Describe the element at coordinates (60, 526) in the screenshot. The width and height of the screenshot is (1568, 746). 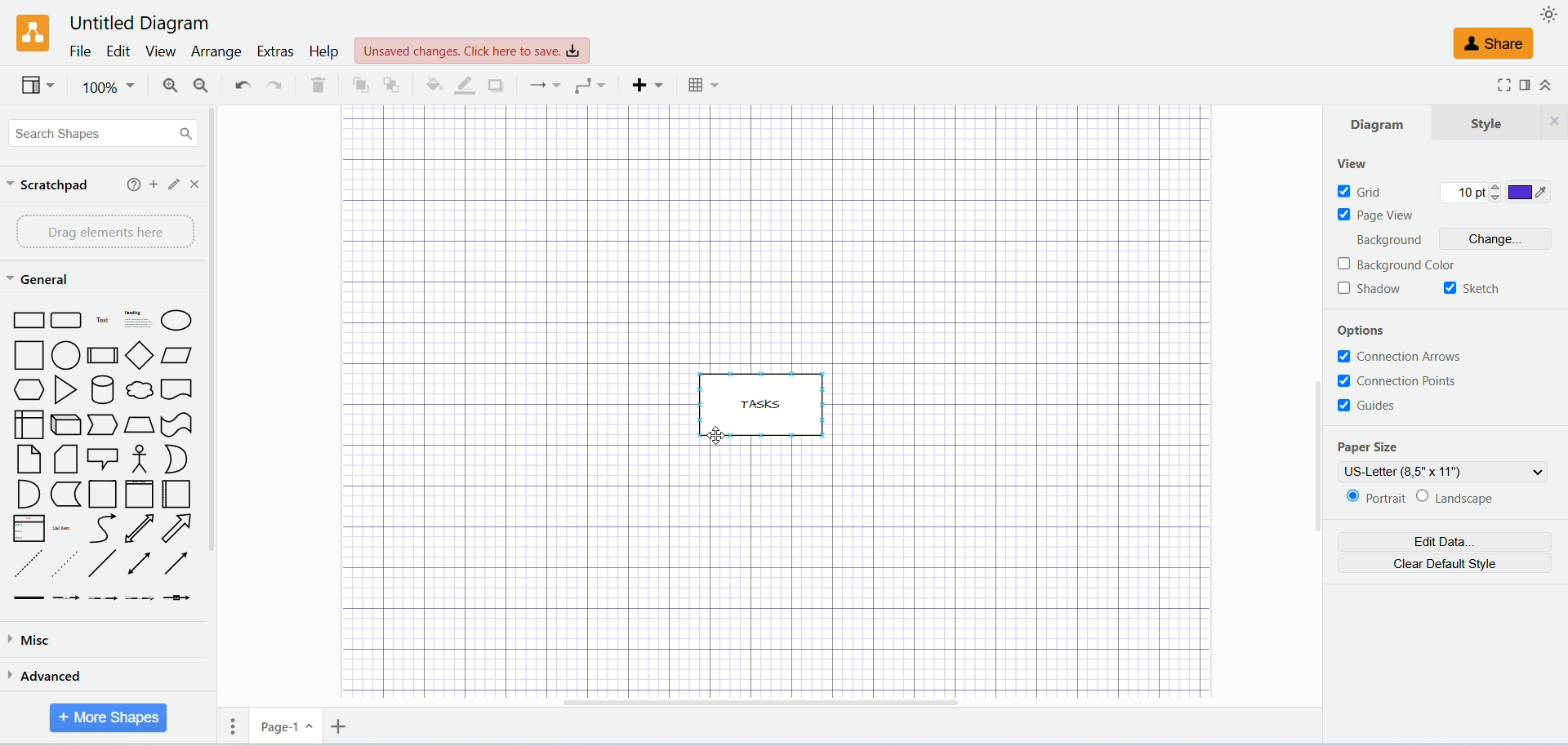
I see `List Item` at that location.